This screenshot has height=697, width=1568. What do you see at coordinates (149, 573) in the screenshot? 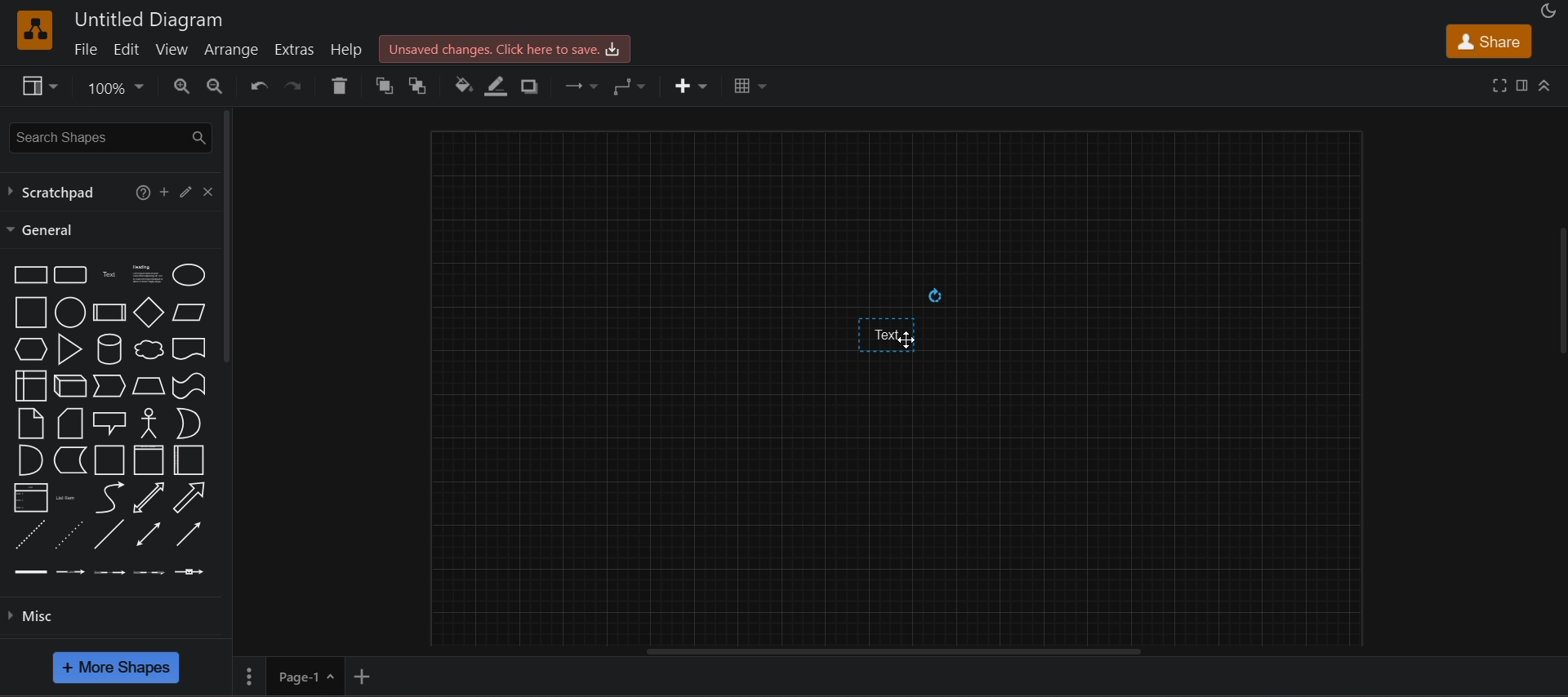
I see `Connector with 3 labels` at bounding box center [149, 573].